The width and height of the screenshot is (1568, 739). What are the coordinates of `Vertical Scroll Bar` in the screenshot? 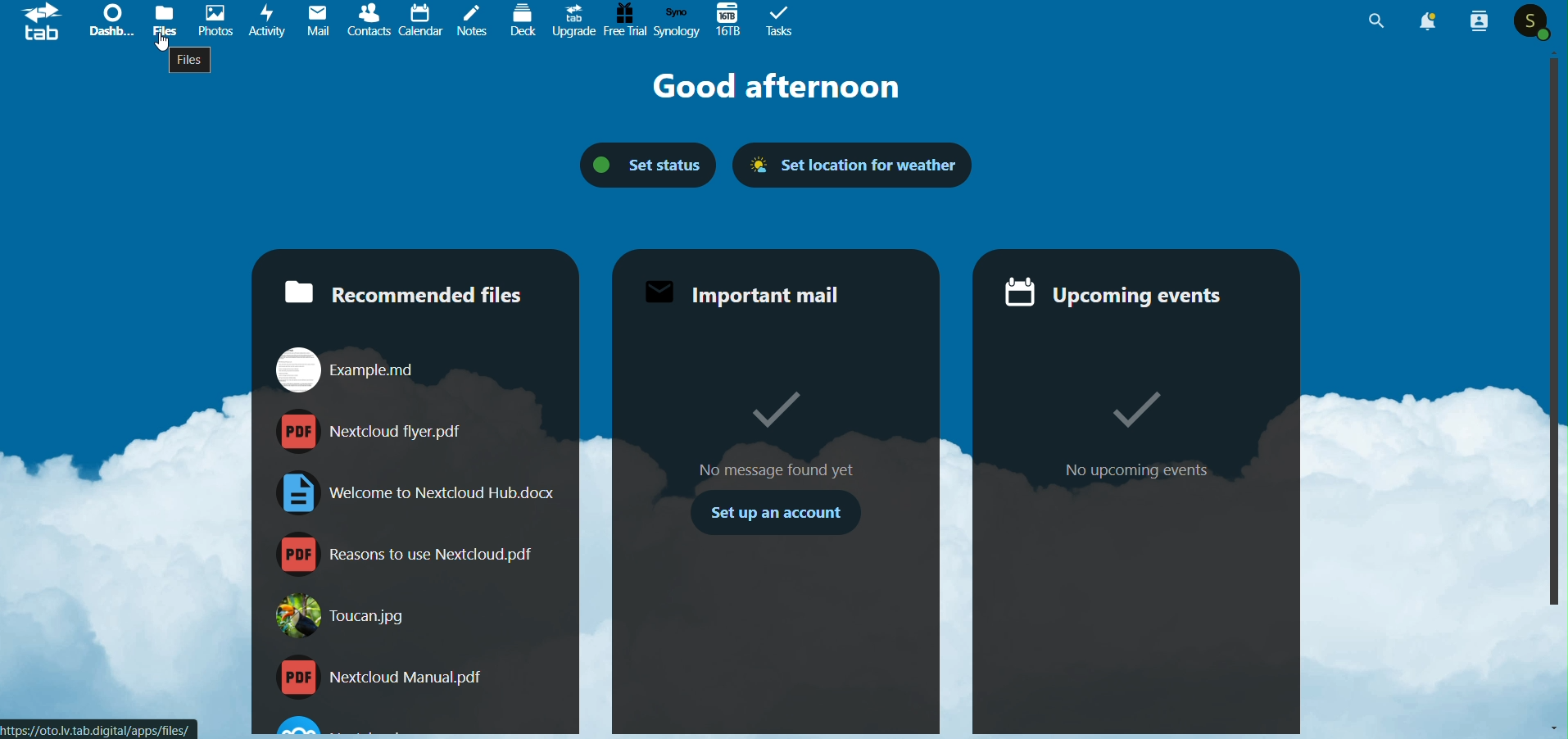 It's located at (1554, 338).